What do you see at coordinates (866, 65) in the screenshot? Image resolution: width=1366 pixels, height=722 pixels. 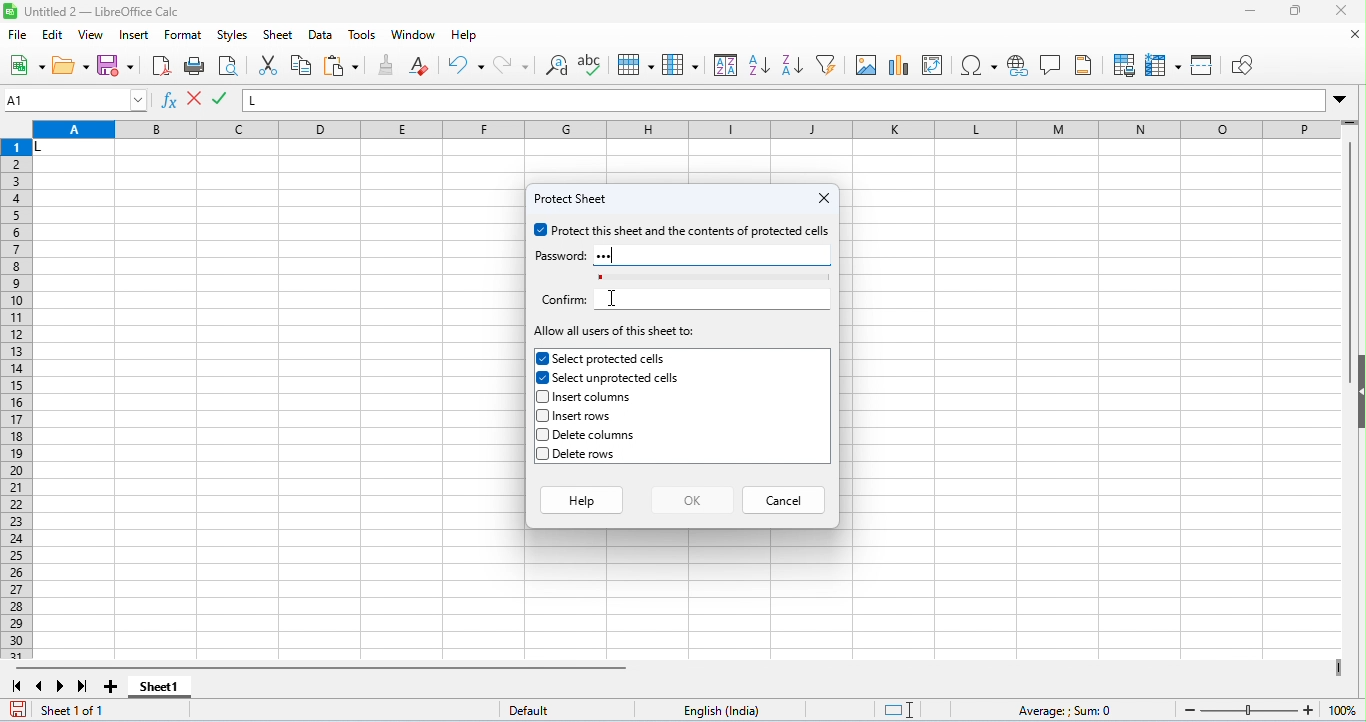 I see `insert image` at bounding box center [866, 65].